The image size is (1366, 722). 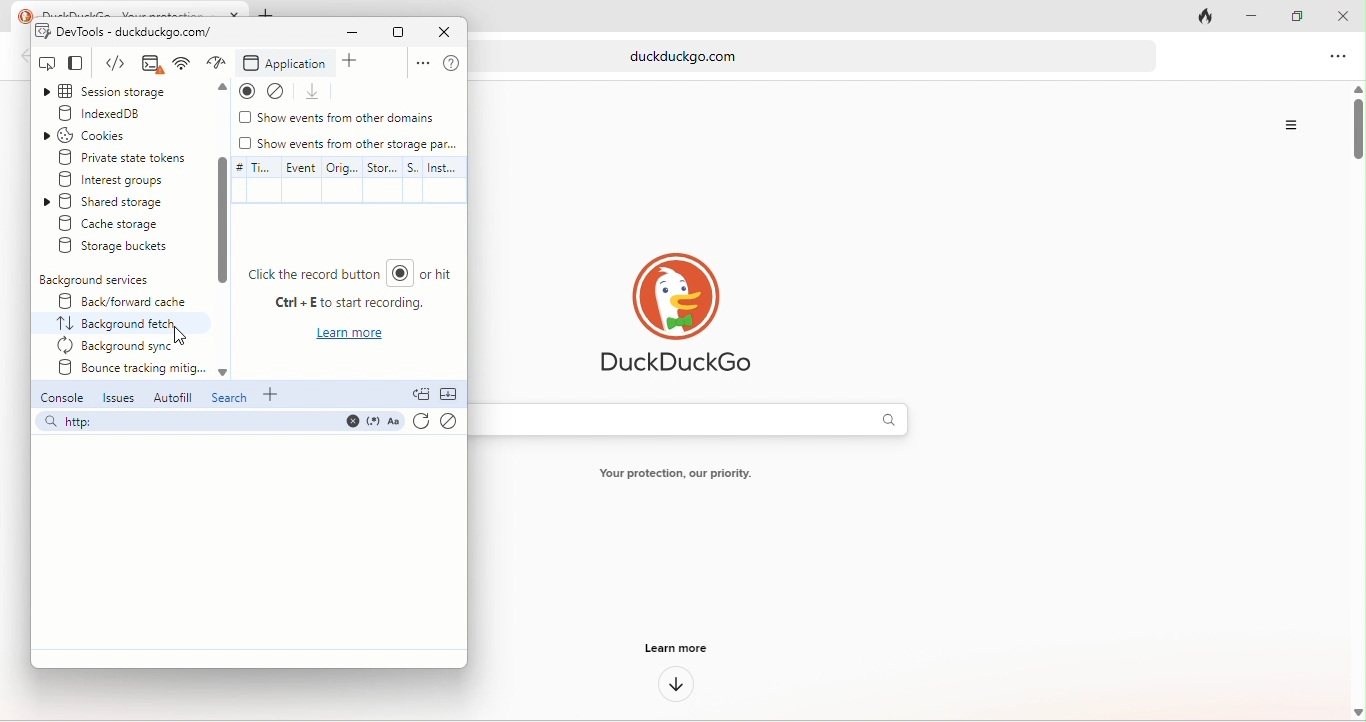 I want to click on inspect, so click(x=47, y=64).